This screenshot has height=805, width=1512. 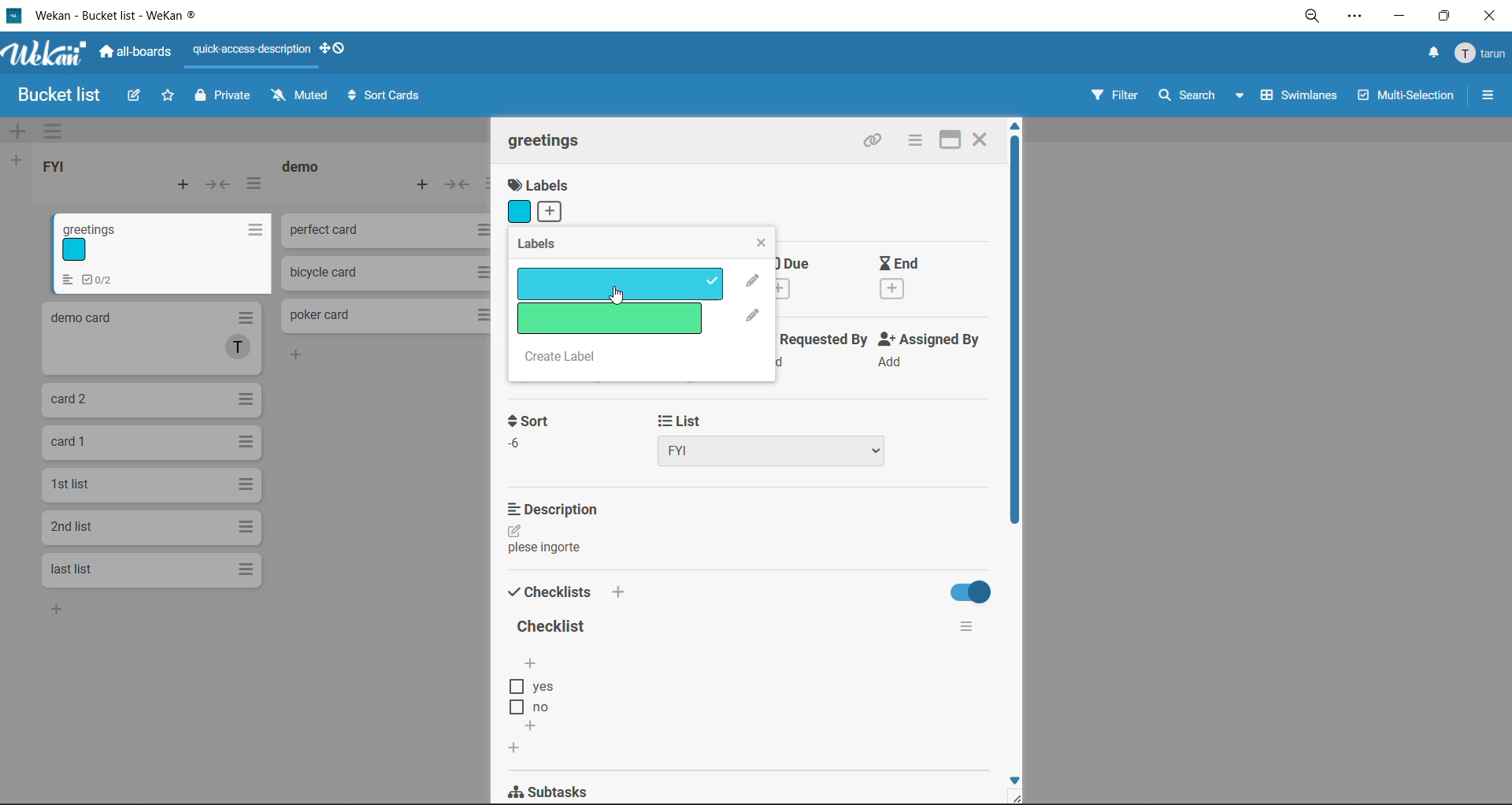 I want to click on quick access description, so click(x=251, y=56).